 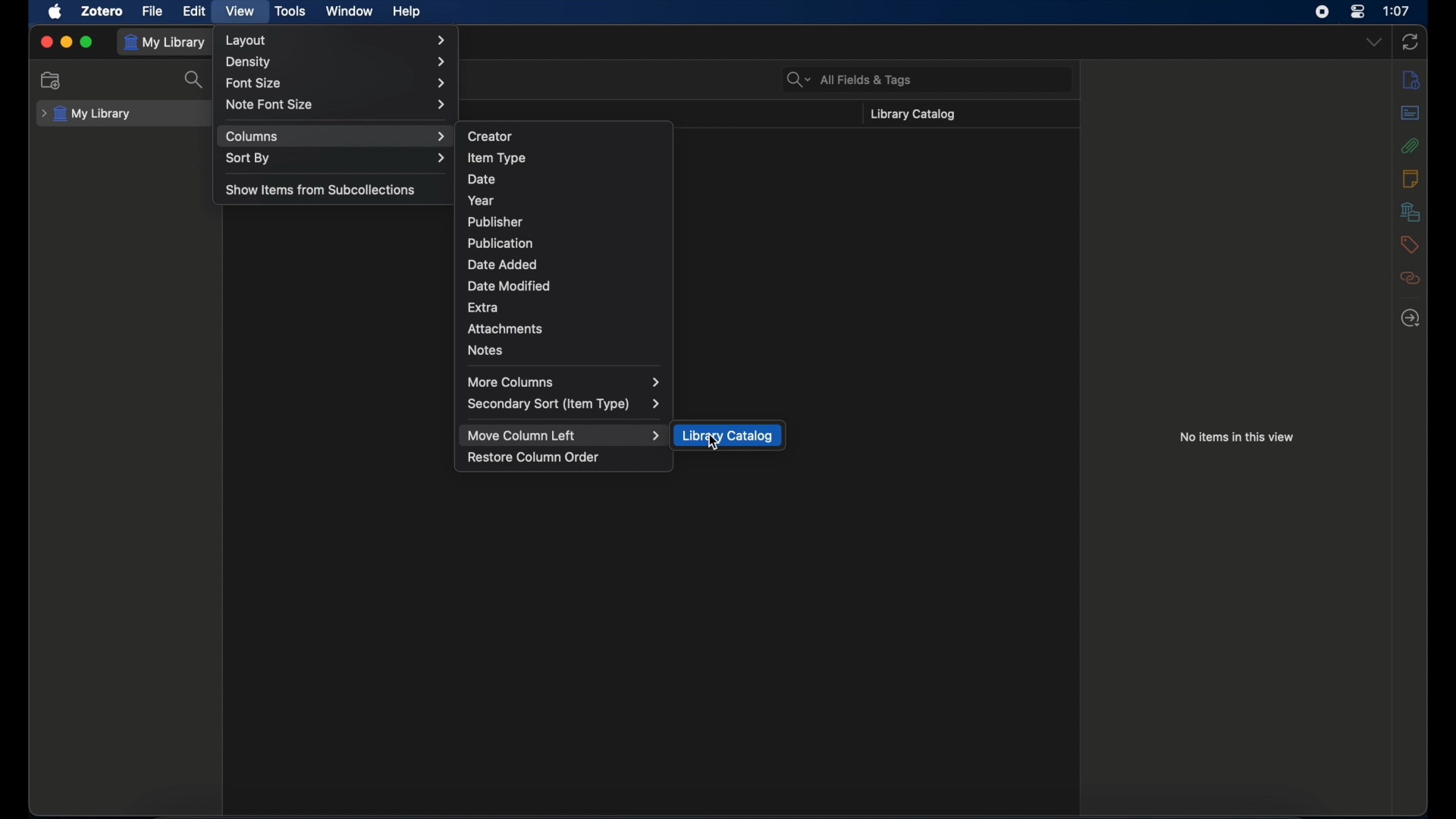 I want to click on notes, so click(x=485, y=350).